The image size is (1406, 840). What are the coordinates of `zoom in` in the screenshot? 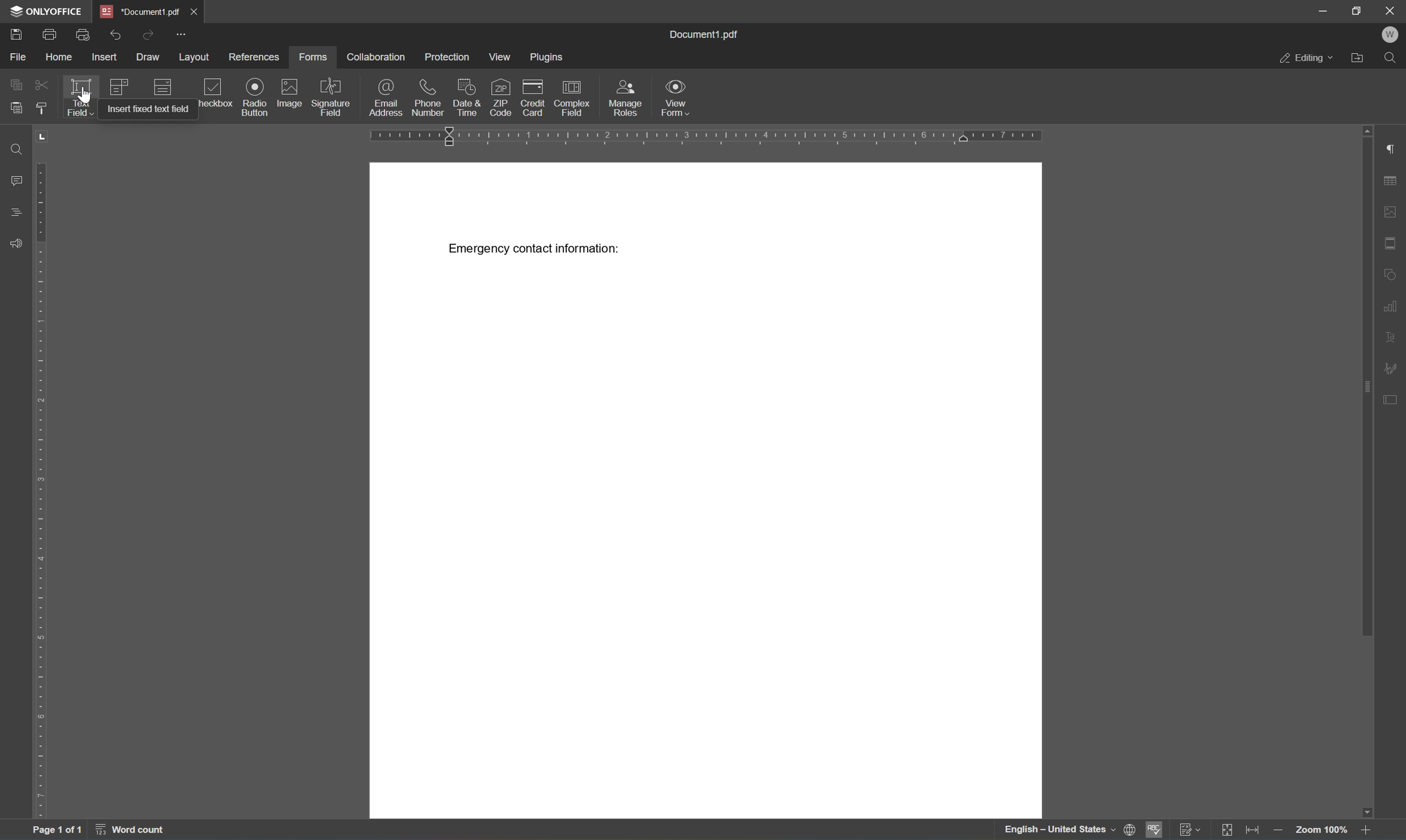 It's located at (1366, 831).